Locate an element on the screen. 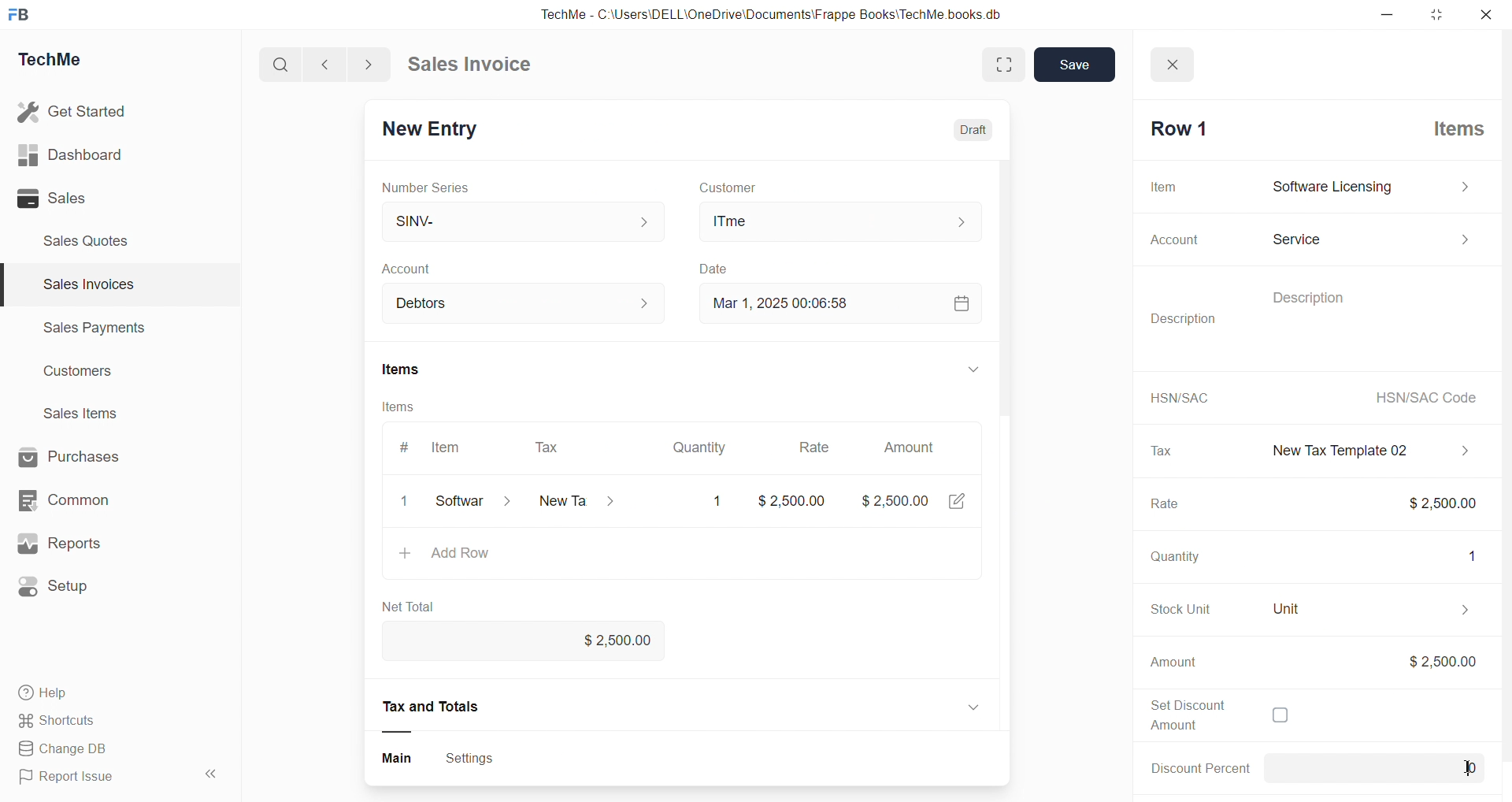 This screenshot has height=802, width=1512. Draft is located at coordinates (966, 124).